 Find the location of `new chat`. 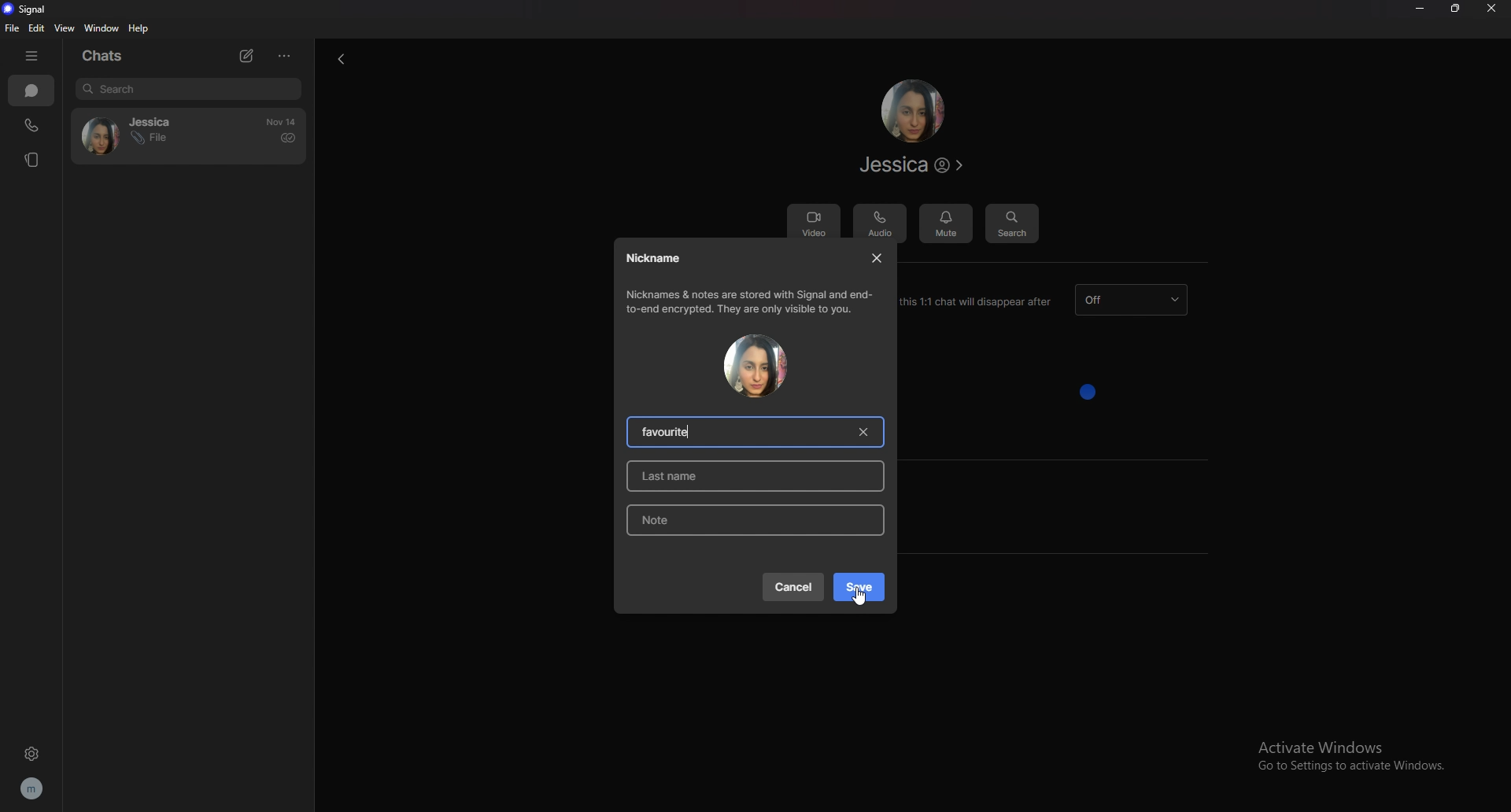

new chat is located at coordinates (245, 55).